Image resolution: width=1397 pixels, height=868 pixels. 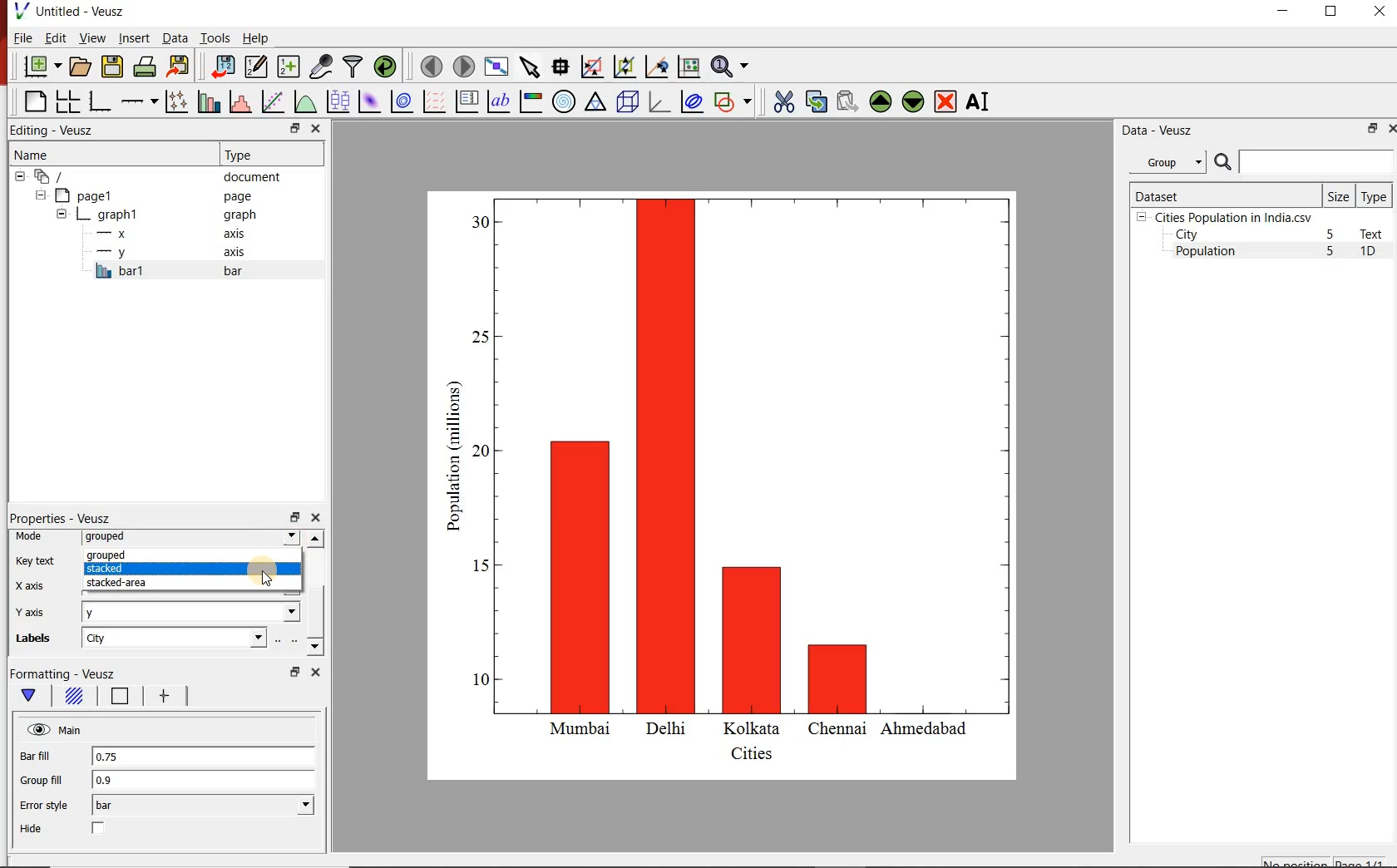 What do you see at coordinates (184, 557) in the screenshot?
I see `grouped` at bounding box center [184, 557].